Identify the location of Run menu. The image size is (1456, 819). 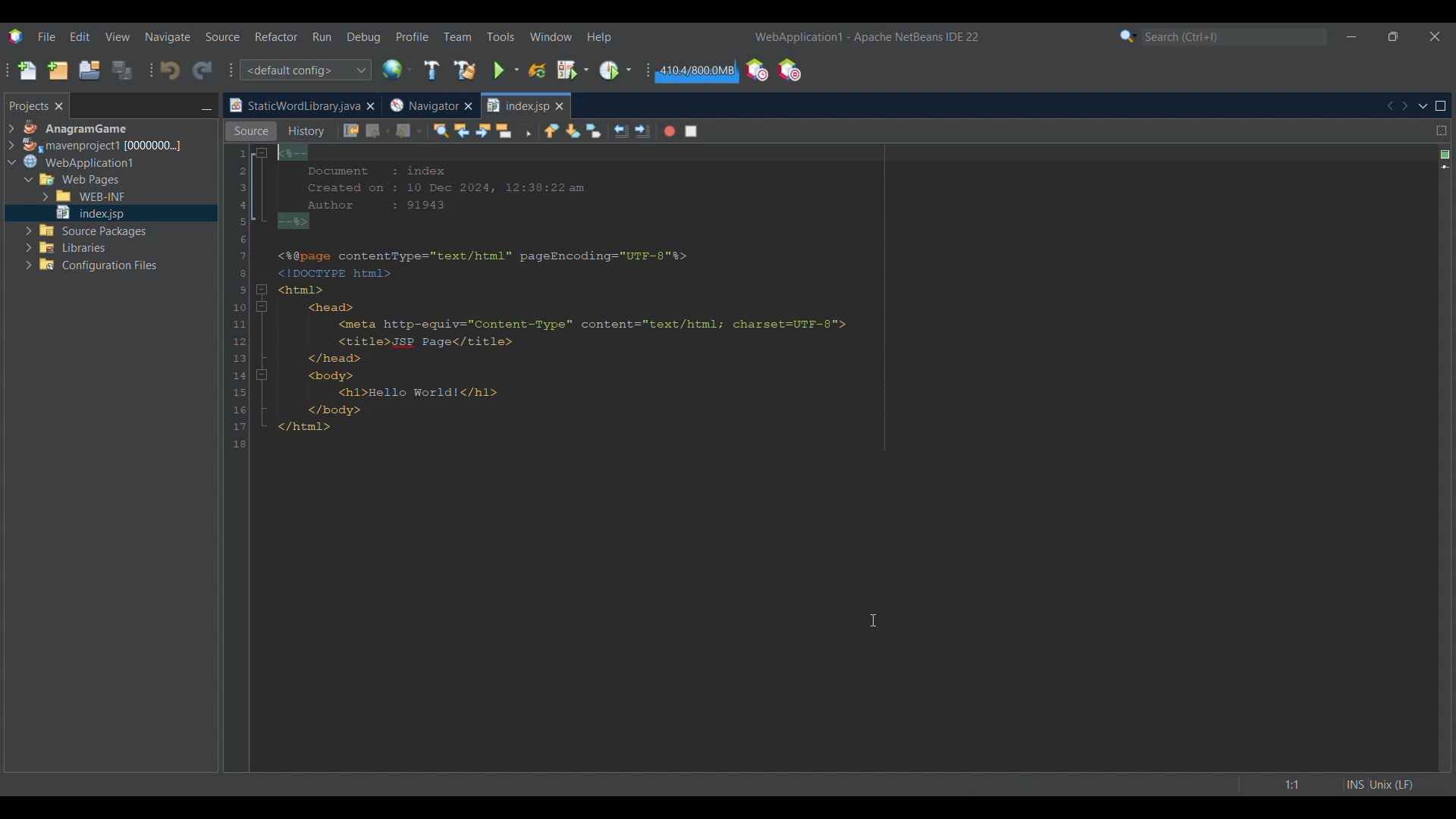
(322, 36).